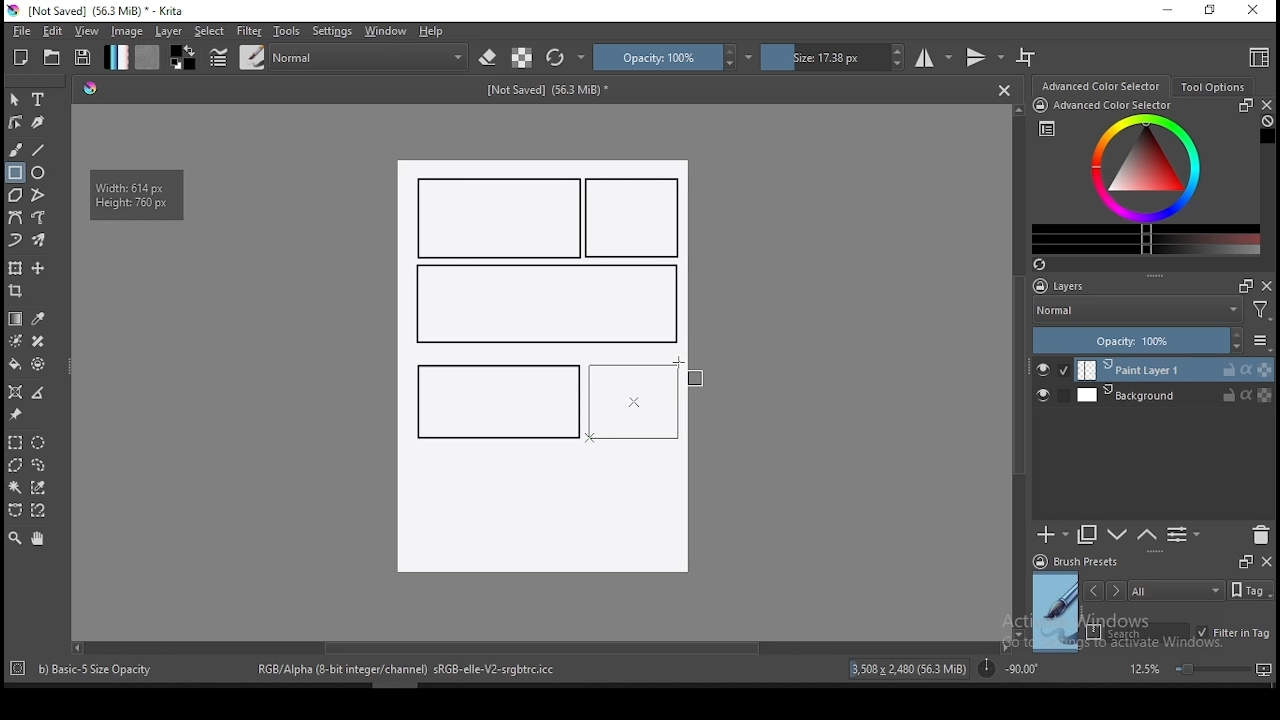 The width and height of the screenshot is (1280, 720). Describe the element at coordinates (14, 415) in the screenshot. I see `reference images tool` at that location.